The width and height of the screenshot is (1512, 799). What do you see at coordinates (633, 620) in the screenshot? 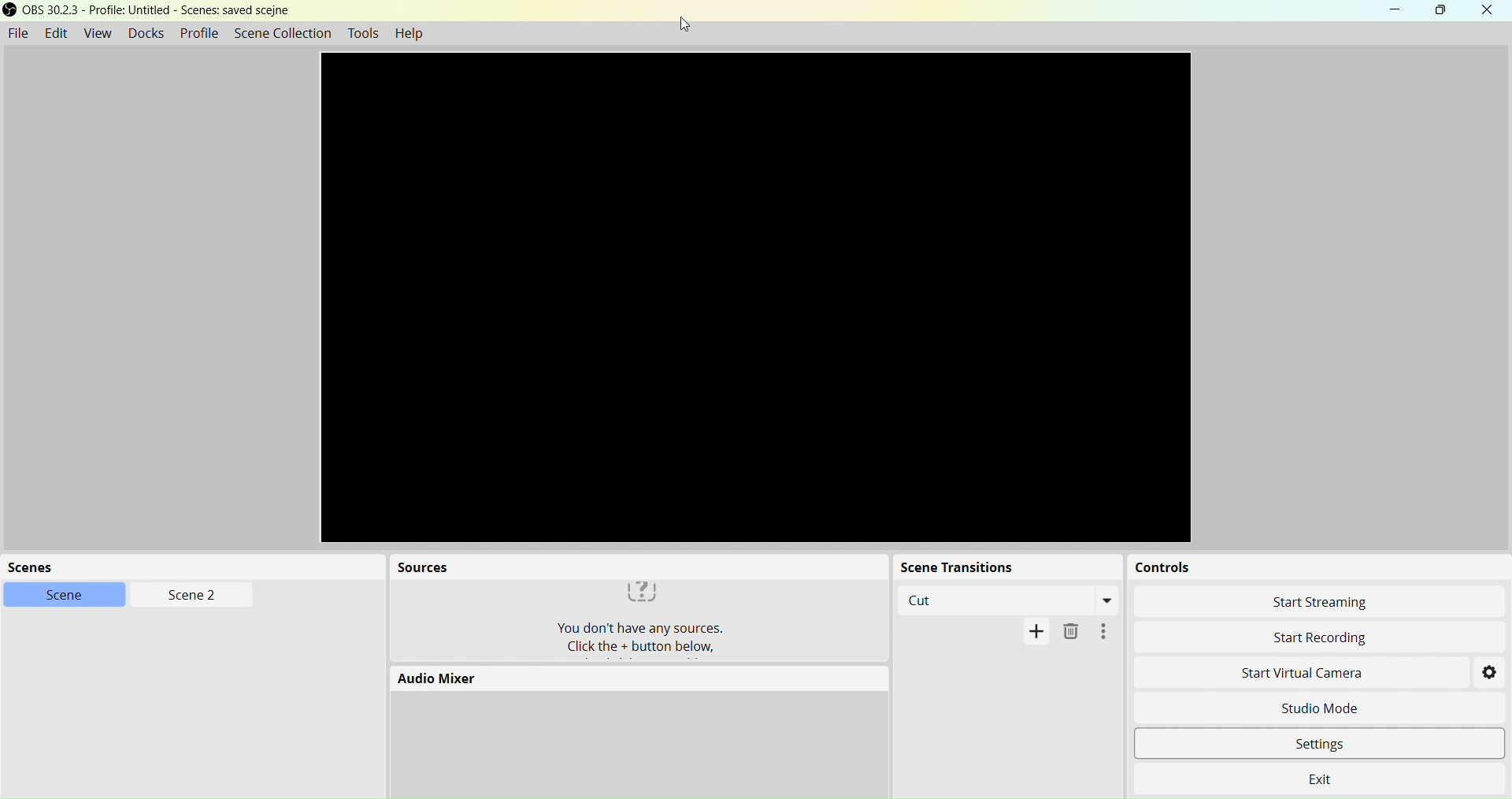
I see `You dont have any sources` at bounding box center [633, 620].